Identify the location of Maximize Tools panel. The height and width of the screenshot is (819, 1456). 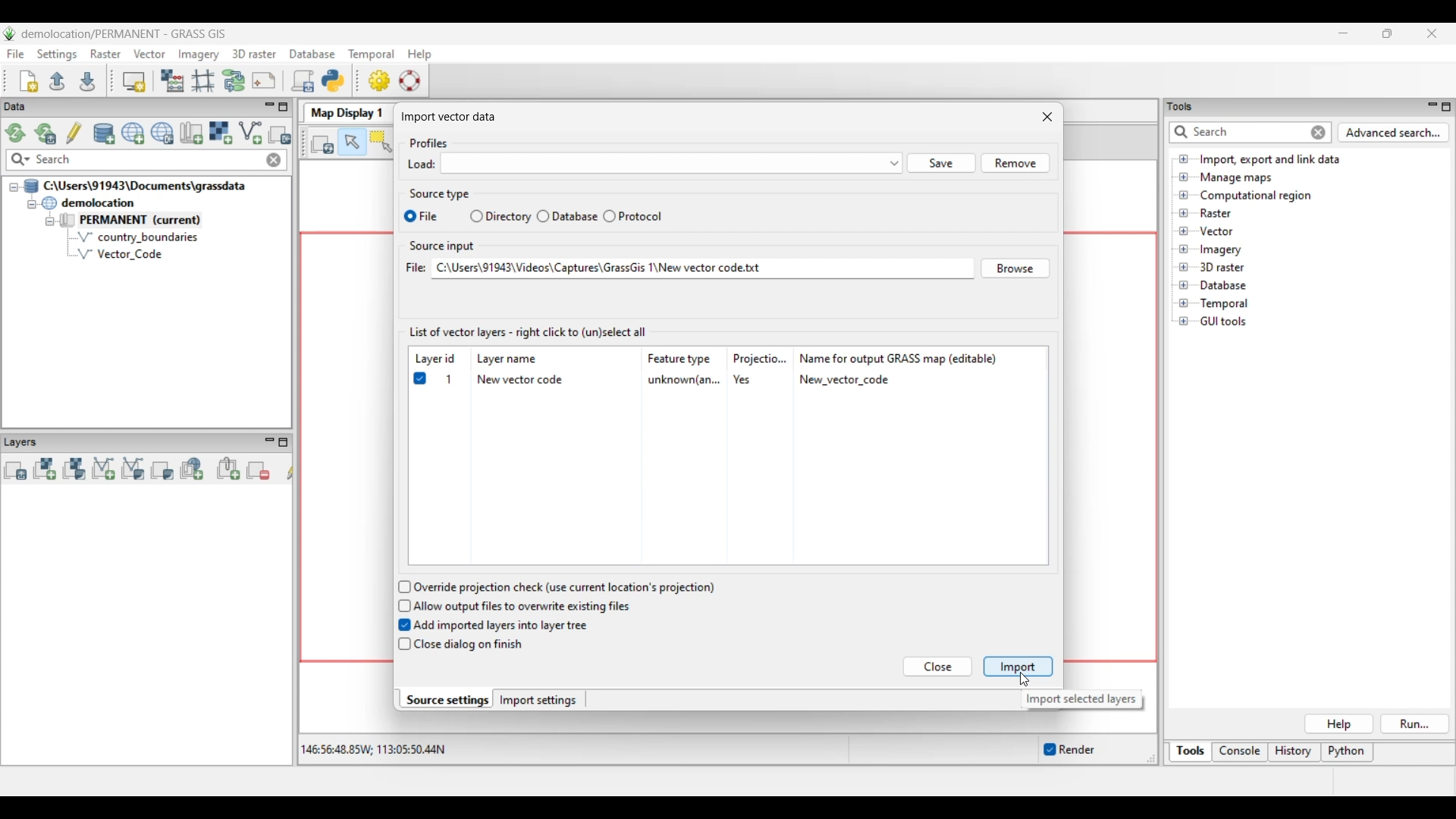
(1446, 107).